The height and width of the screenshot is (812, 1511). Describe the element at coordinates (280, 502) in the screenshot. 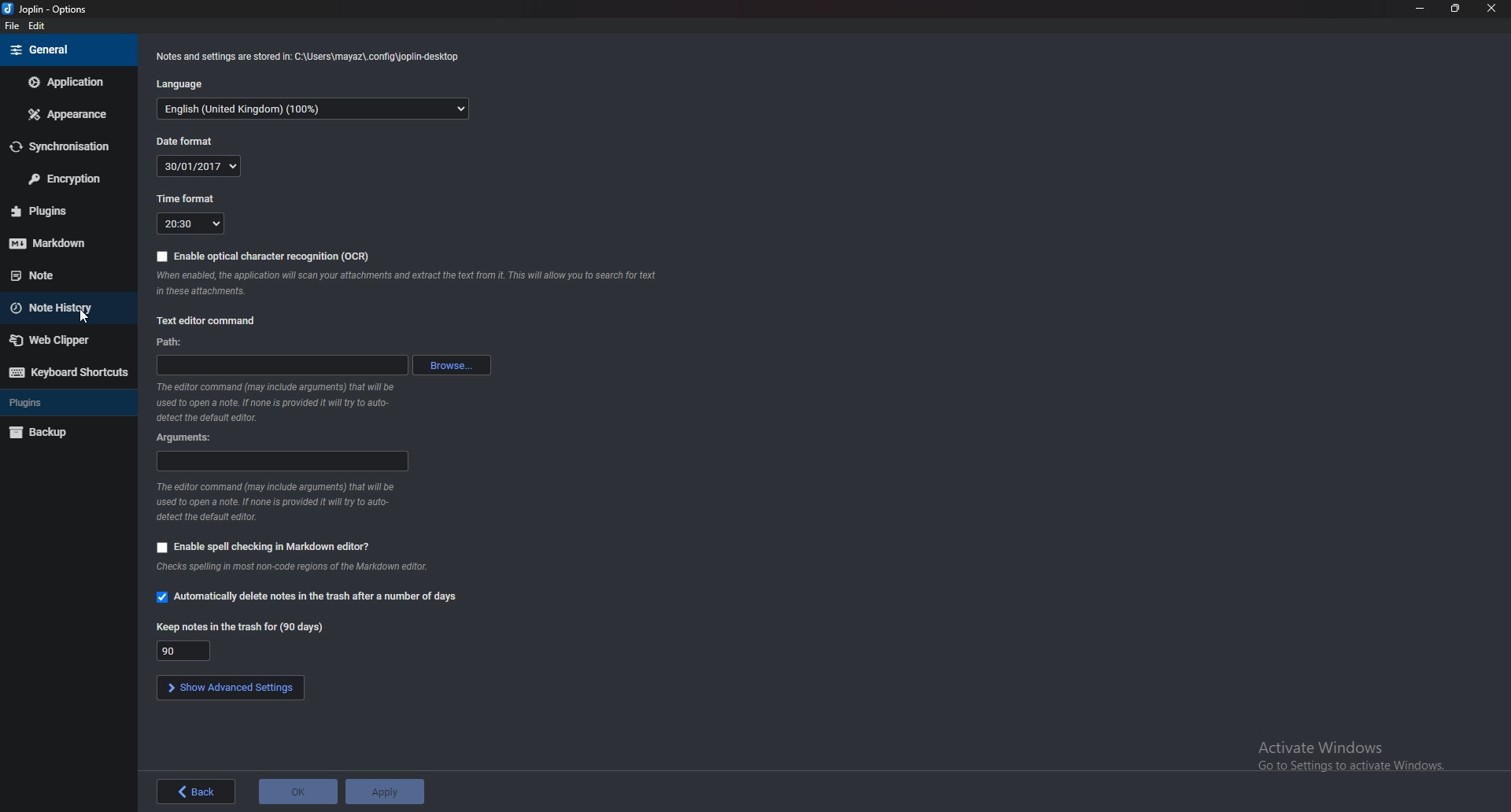

I see `Info` at that location.